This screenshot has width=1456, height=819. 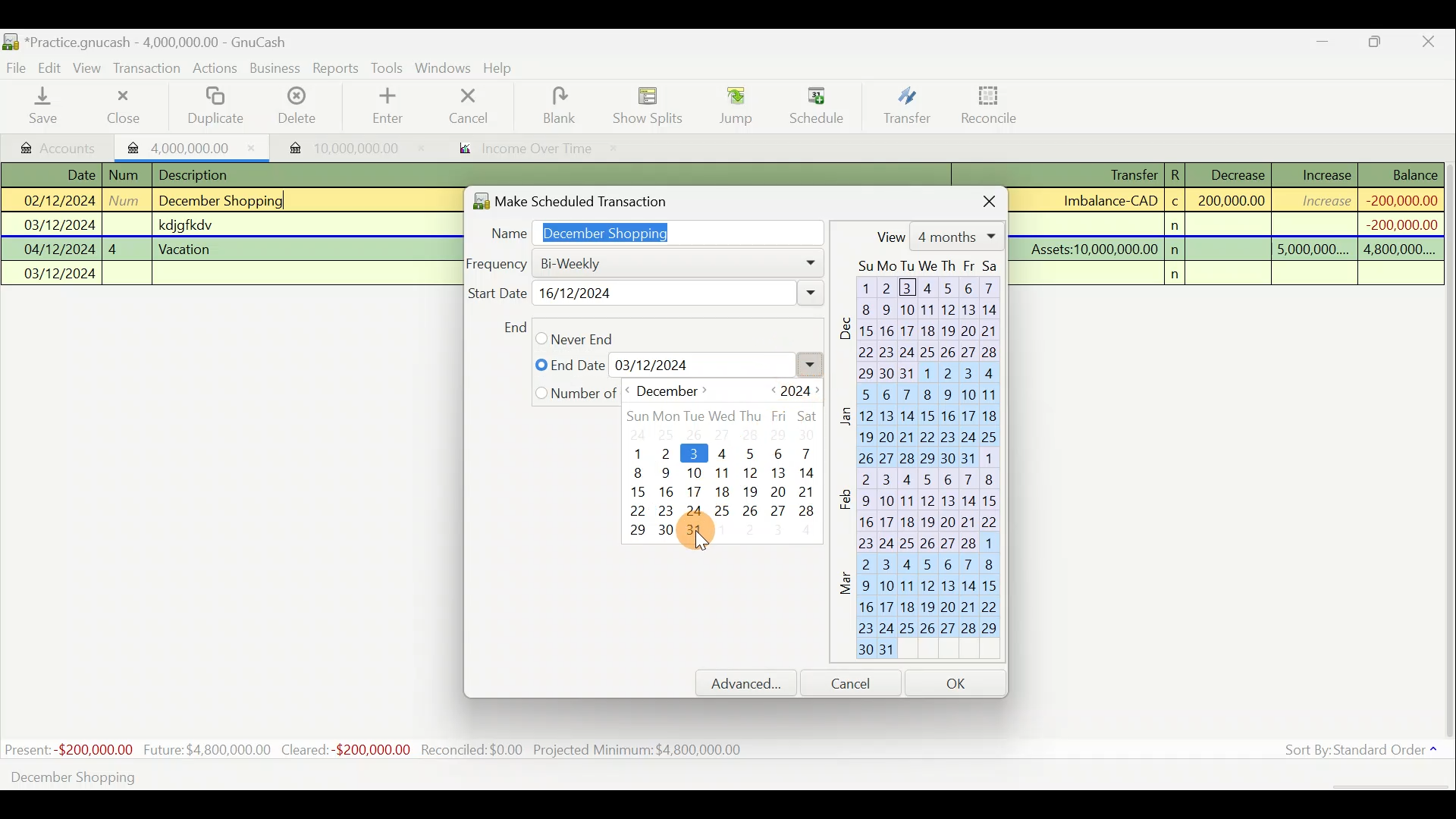 What do you see at coordinates (52, 67) in the screenshot?
I see `Edit` at bounding box center [52, 67].